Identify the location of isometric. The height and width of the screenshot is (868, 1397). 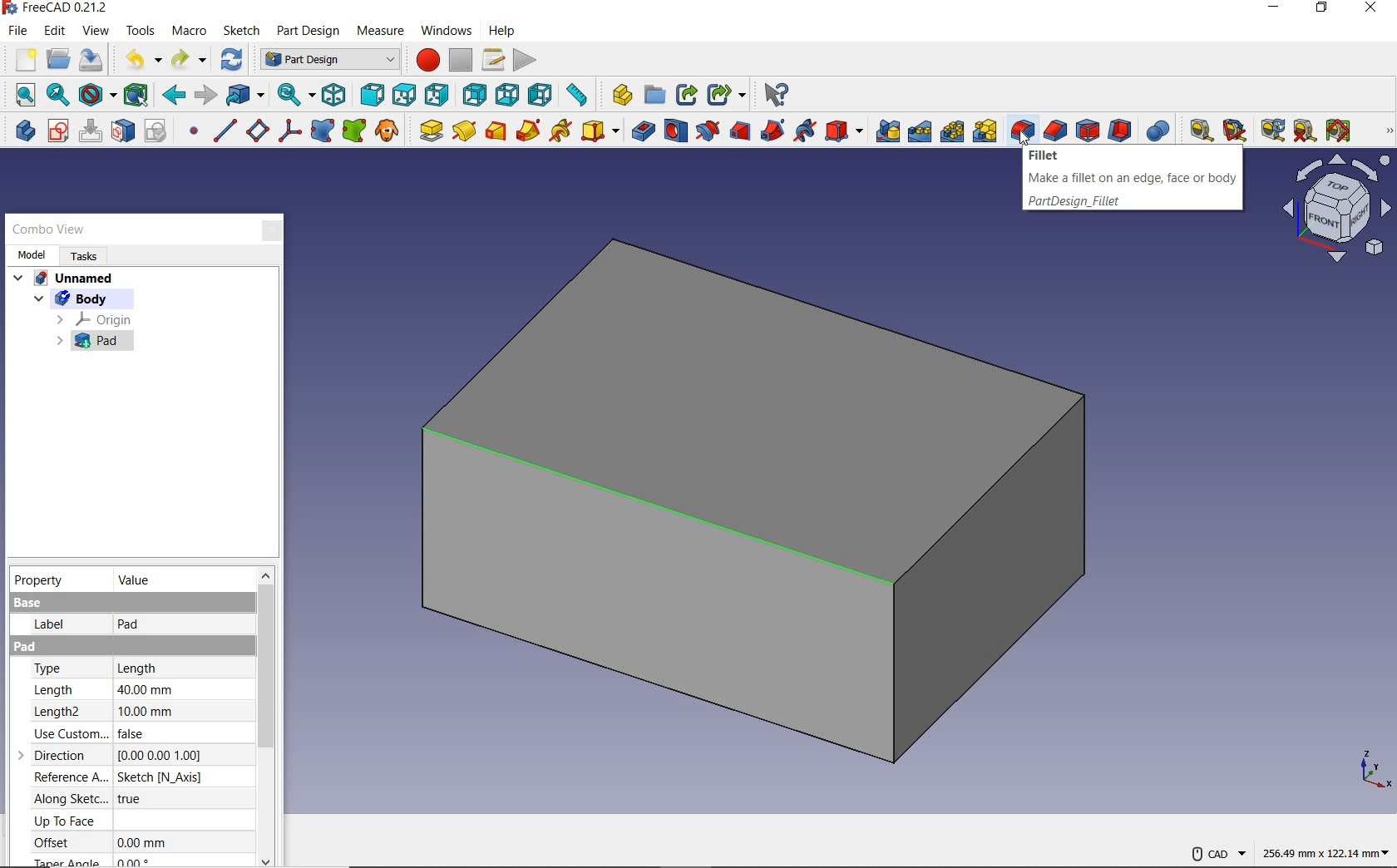
(334, 95).